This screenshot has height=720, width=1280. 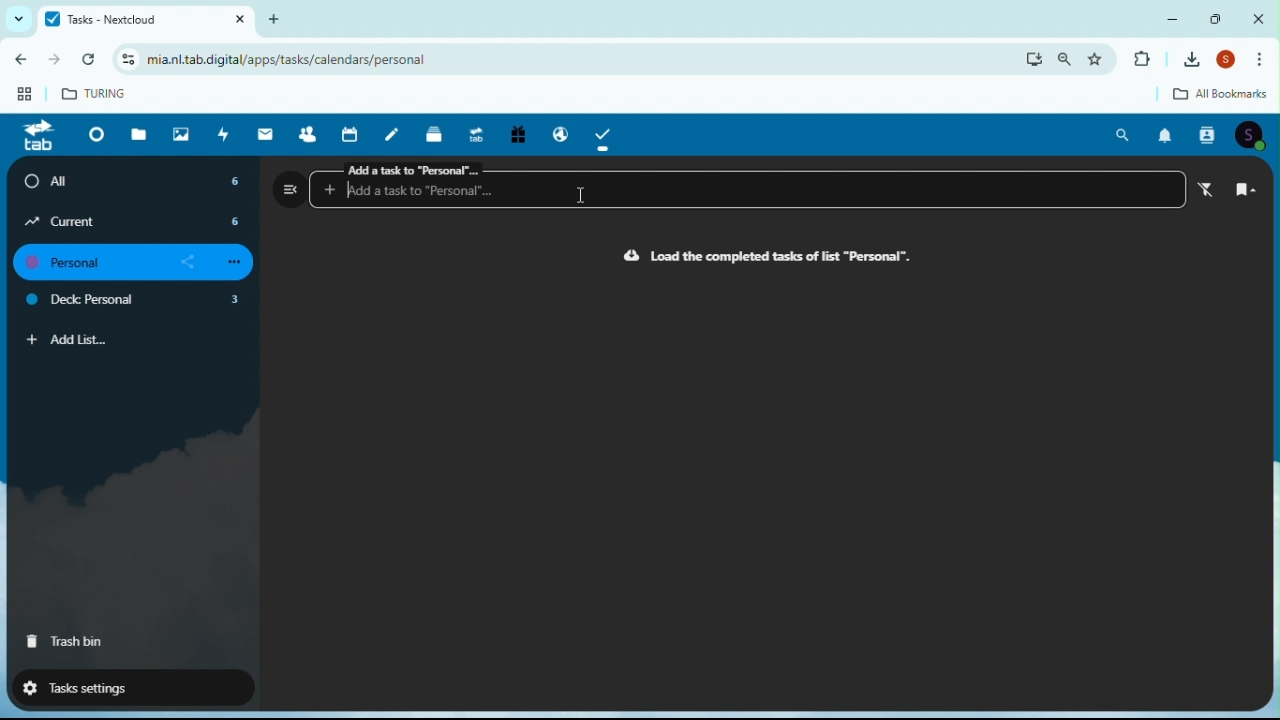 I want to click on Notifications, so click(x=1165, y=136).